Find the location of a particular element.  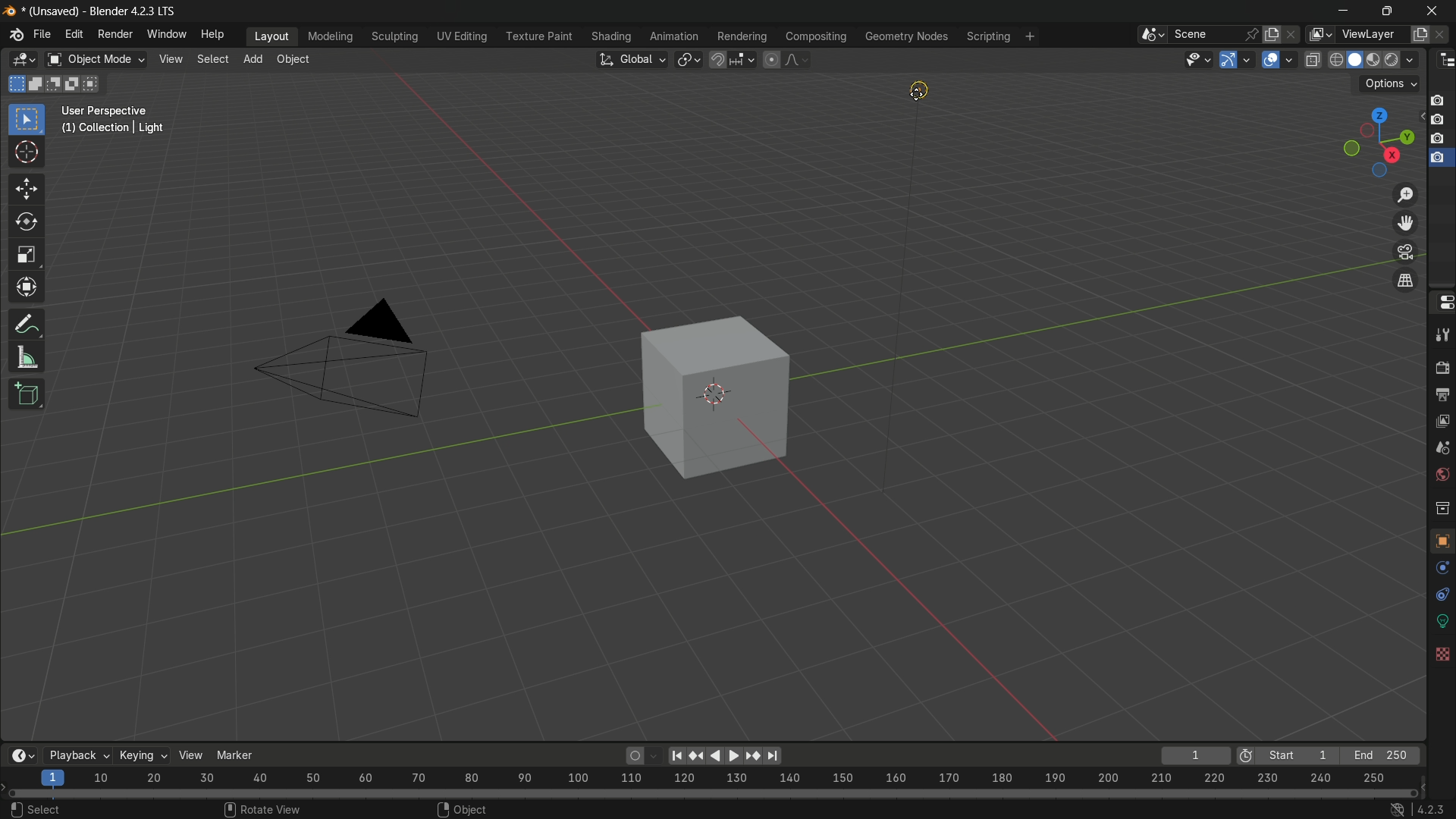

add view layer is located at coordinates (1420, 34).